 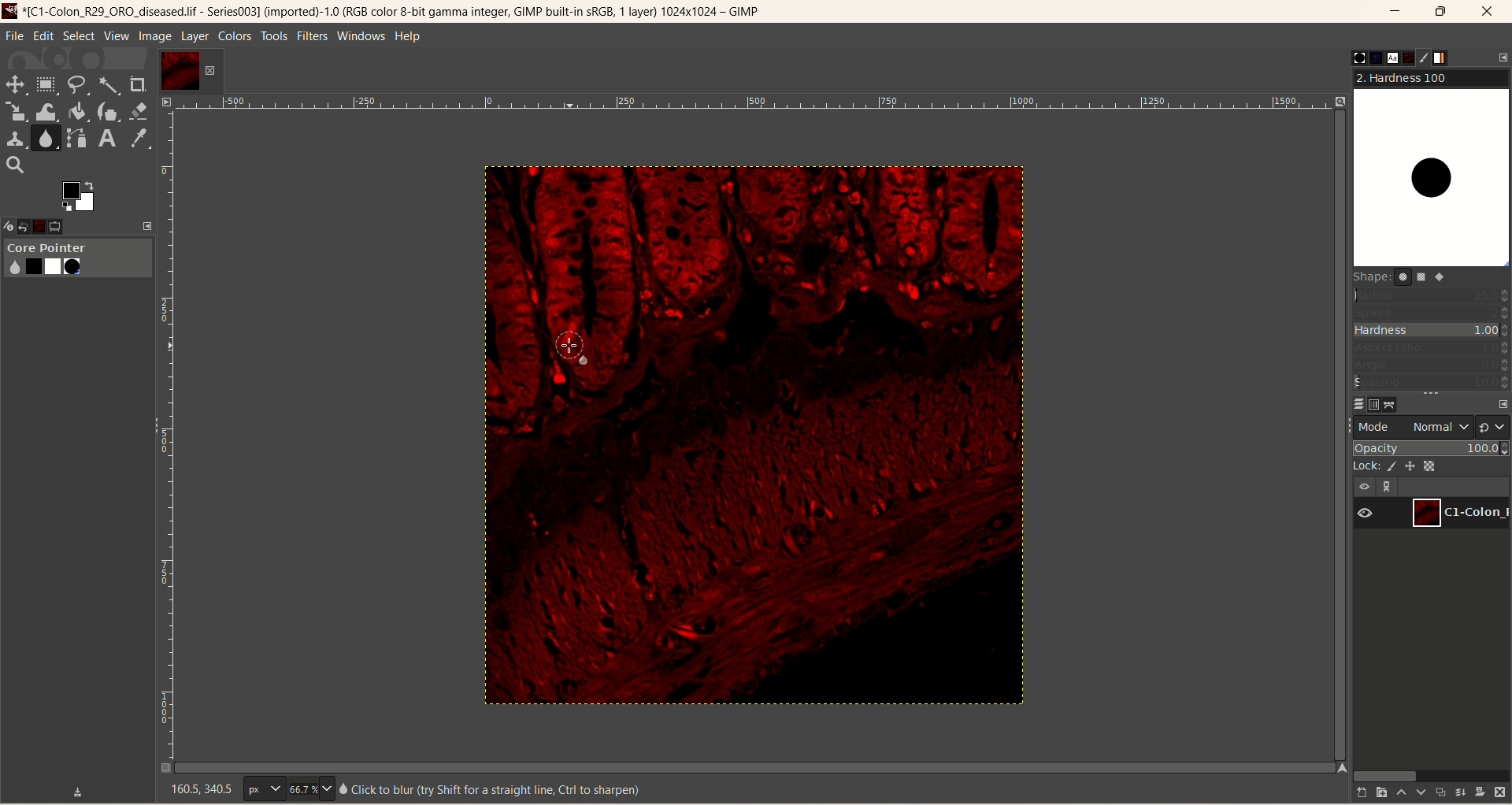 I want to click on colors, so click(x=236, y=36).